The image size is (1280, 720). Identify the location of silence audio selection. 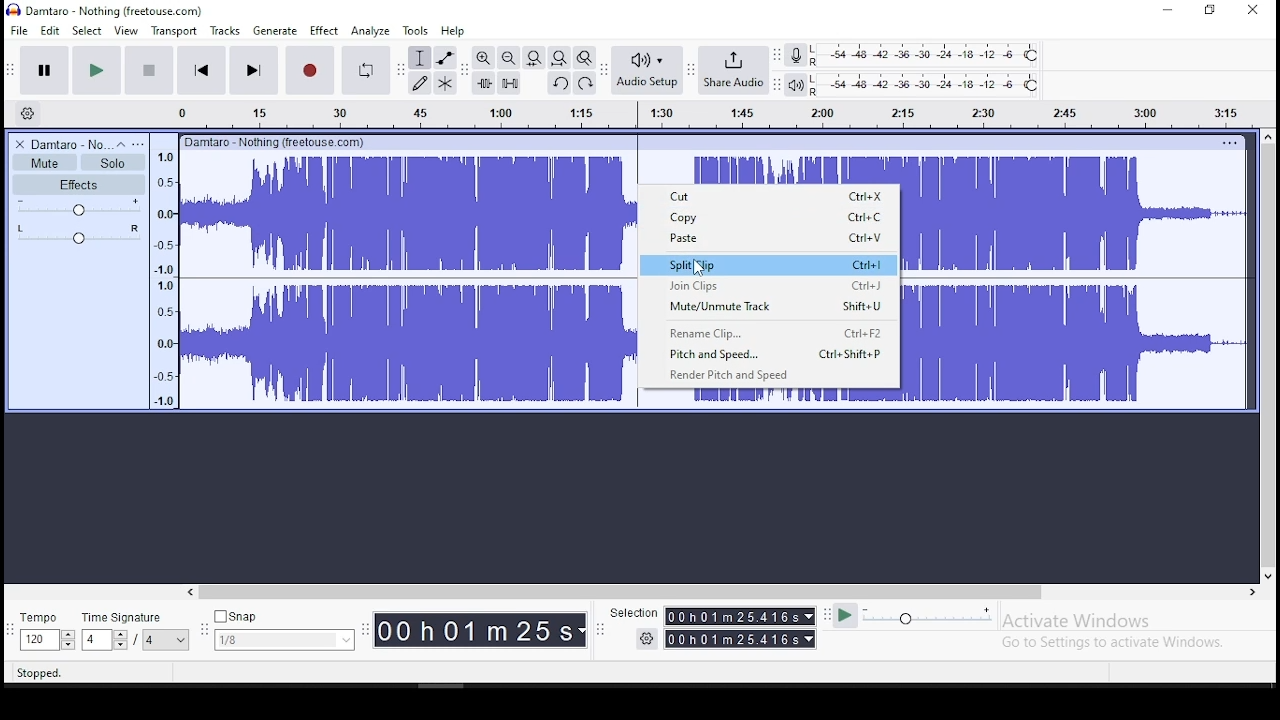
(510, 82).